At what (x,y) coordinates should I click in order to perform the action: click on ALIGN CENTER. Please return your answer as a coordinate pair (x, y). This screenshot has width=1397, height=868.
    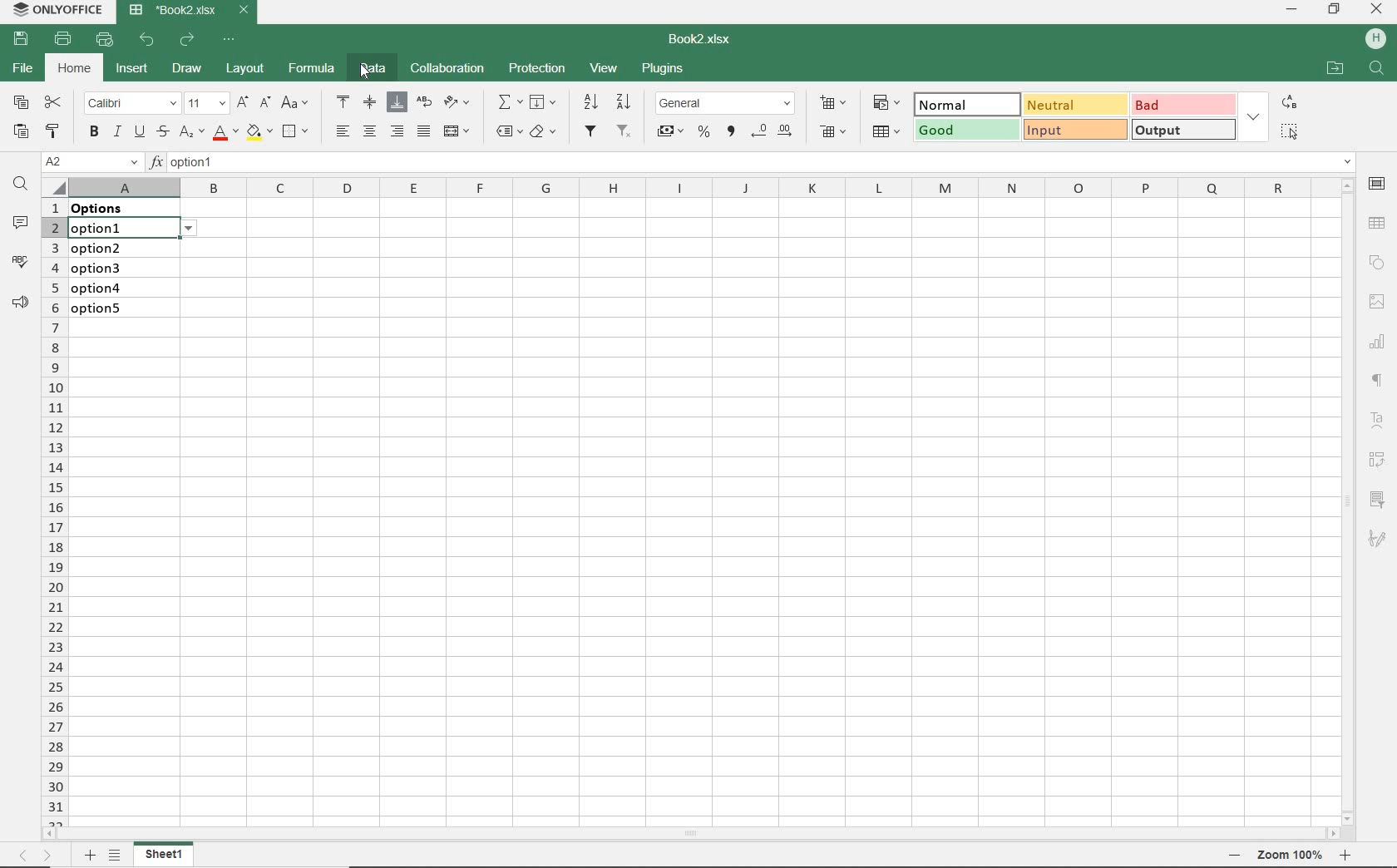
    Looking at the image, I should click on (370, 131).